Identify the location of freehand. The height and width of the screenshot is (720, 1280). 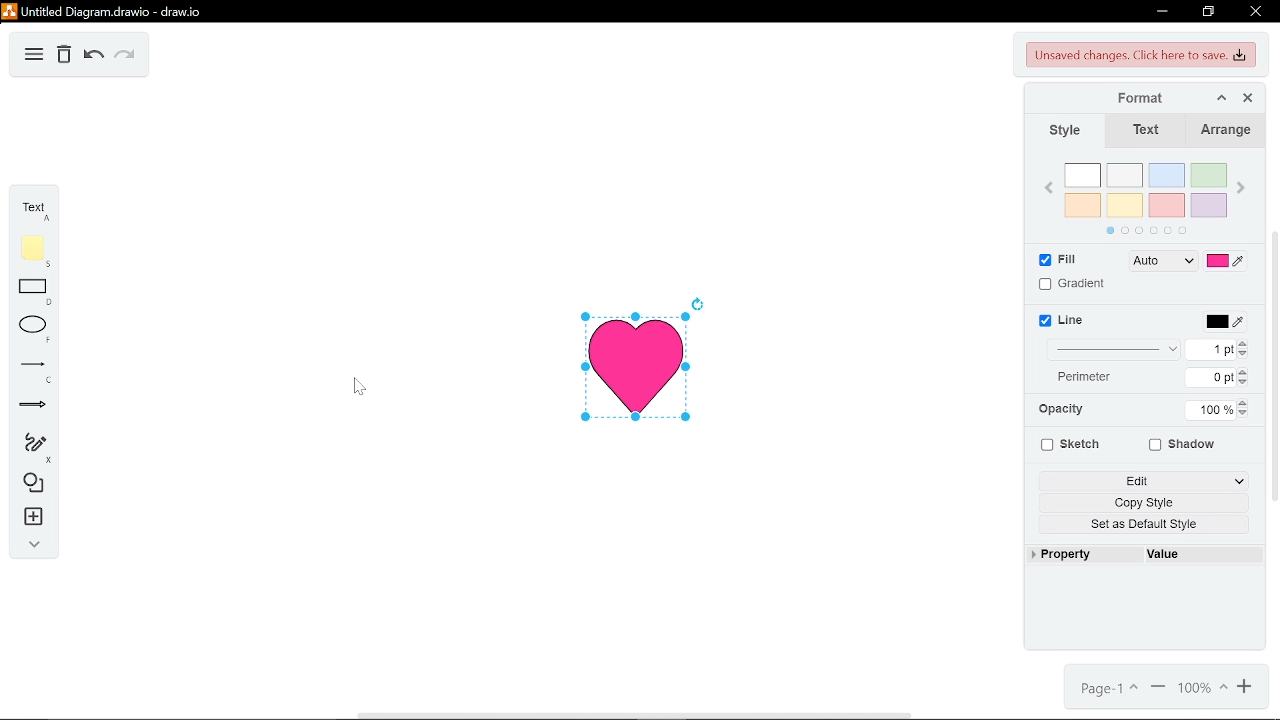
(32, 448).